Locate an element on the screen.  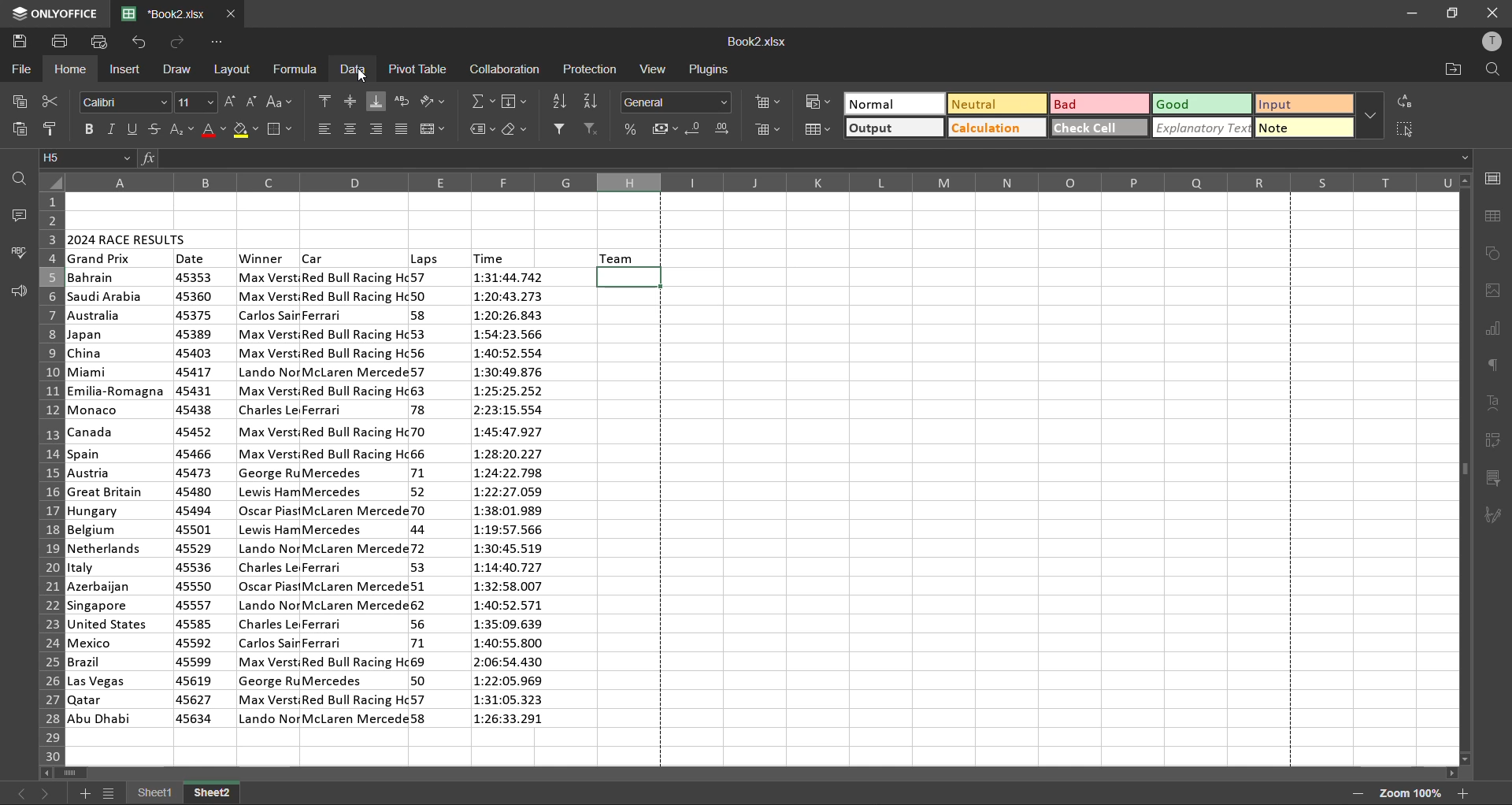
number format is located at coordinates (676, 102).